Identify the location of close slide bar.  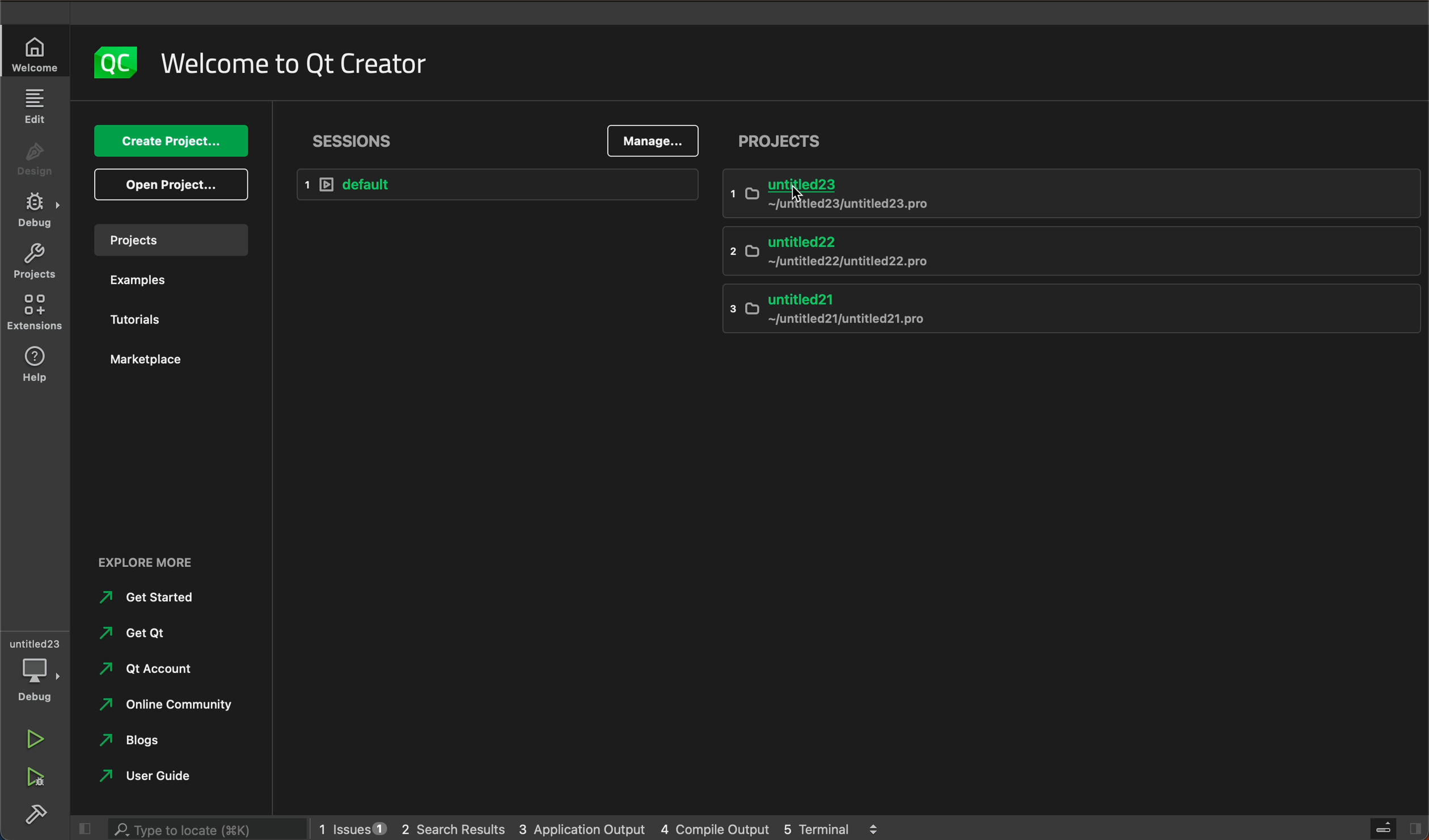
(1390, 828).